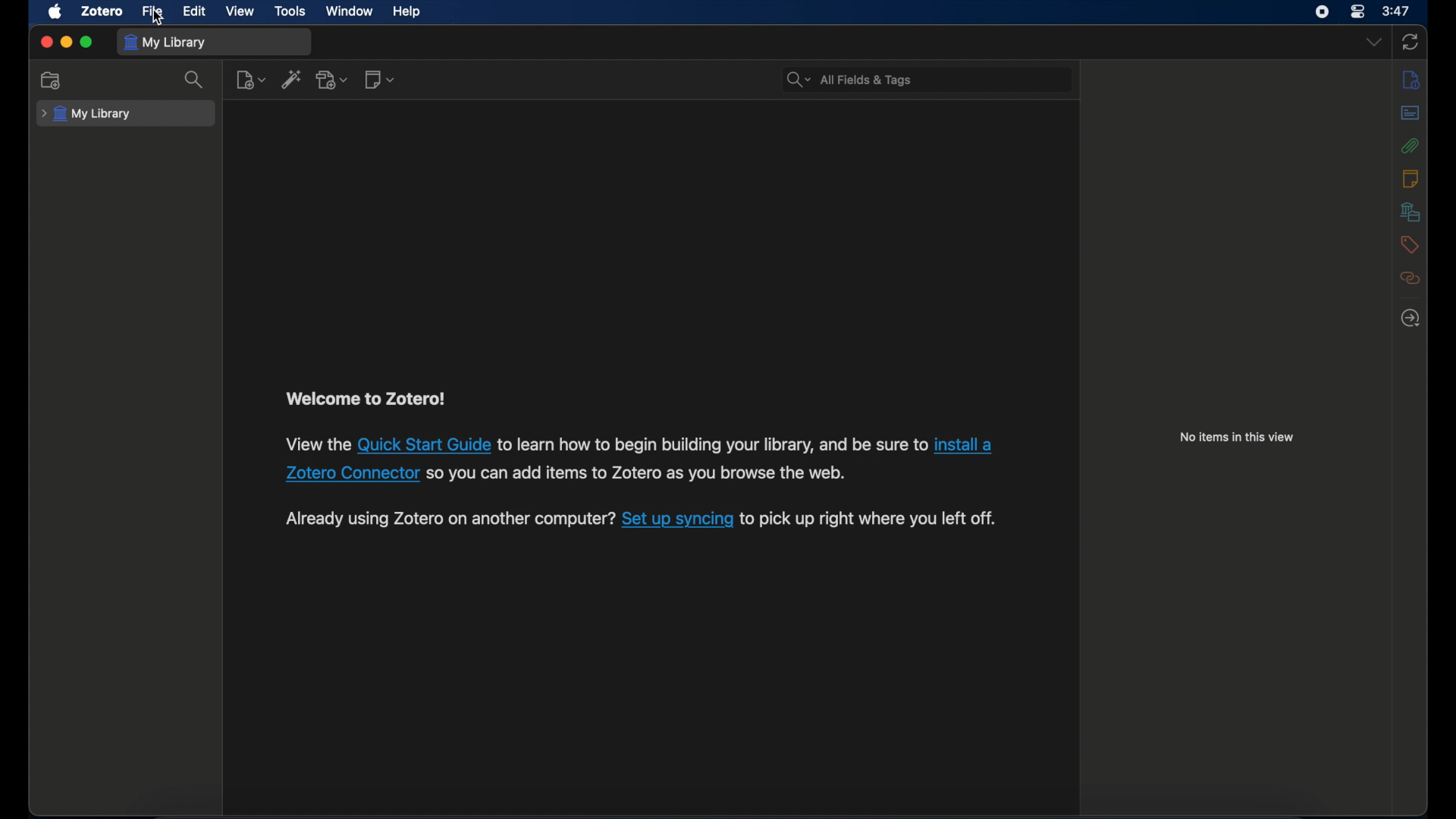 The image size is (1456, 819). I want to click on notes, so click(1410, 178).